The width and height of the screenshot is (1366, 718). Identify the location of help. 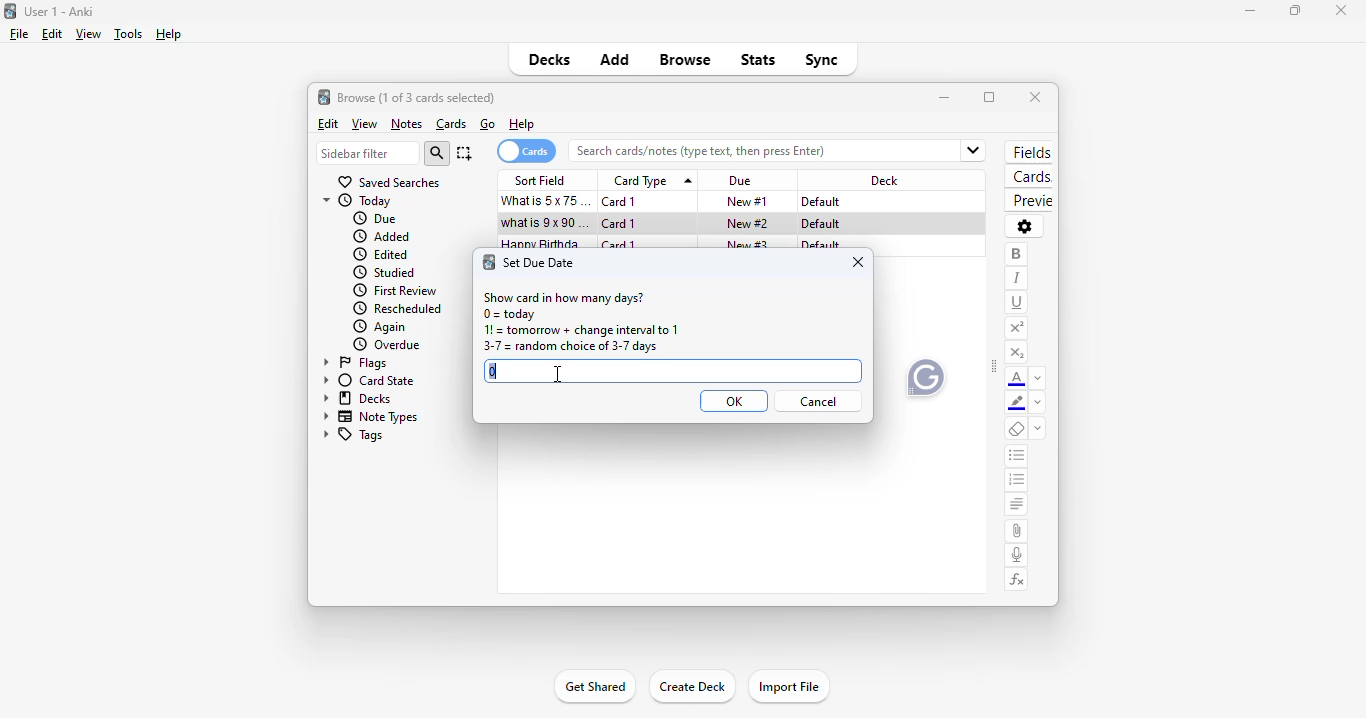
(522, 125).